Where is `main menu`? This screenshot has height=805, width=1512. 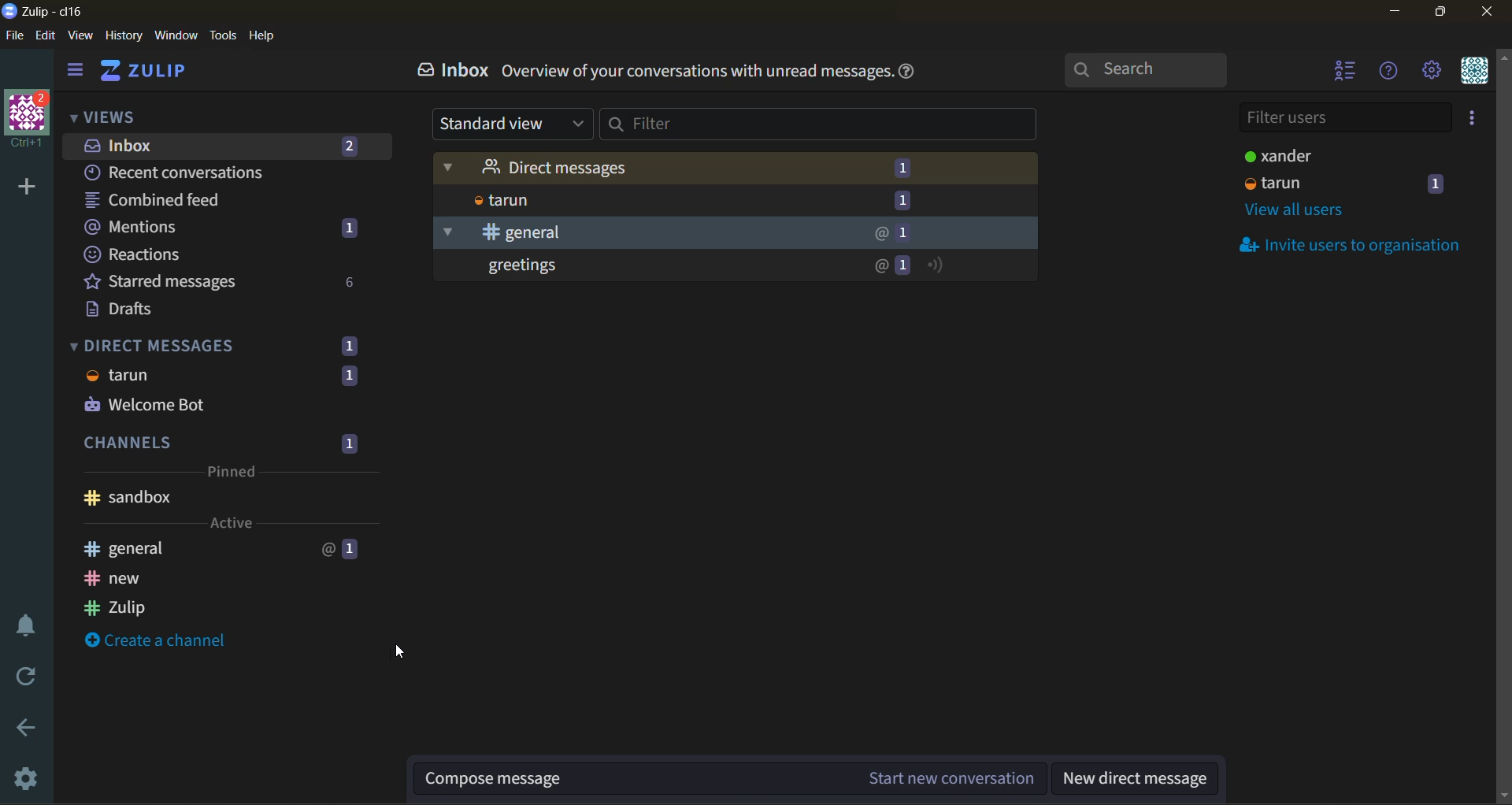 main menu is located at coordinates (1429, 72).